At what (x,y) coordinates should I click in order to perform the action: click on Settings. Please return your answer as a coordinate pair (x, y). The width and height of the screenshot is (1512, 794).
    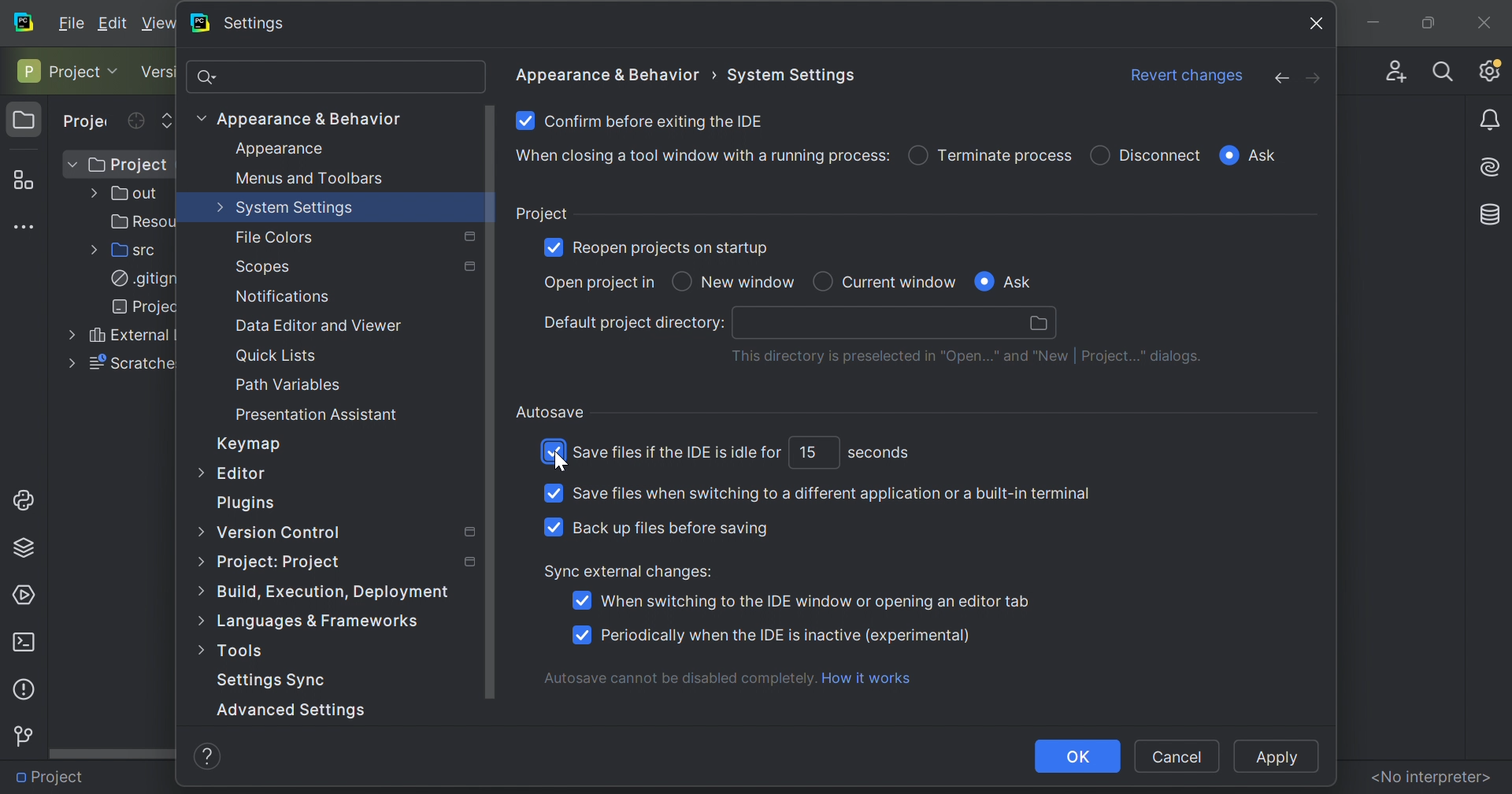
    Looking at the image, I should click on (255, 24).